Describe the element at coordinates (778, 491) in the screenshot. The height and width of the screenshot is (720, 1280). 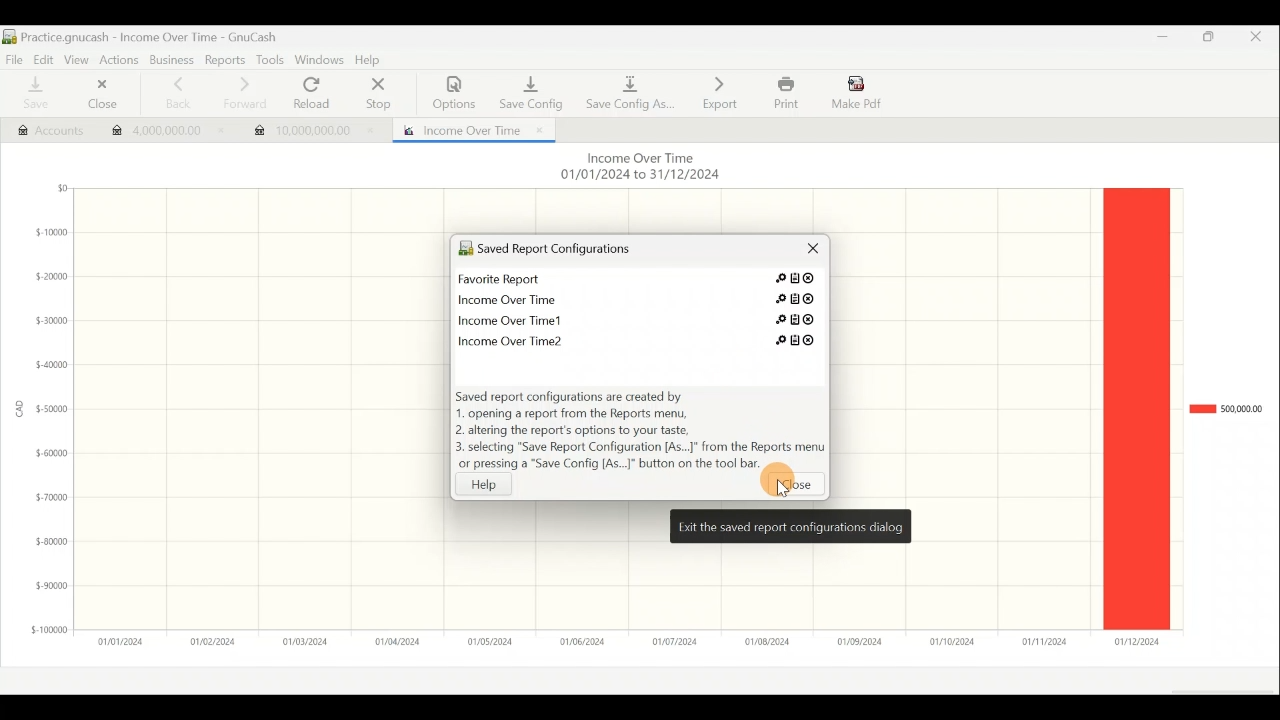
I see `Cursor` at that location.